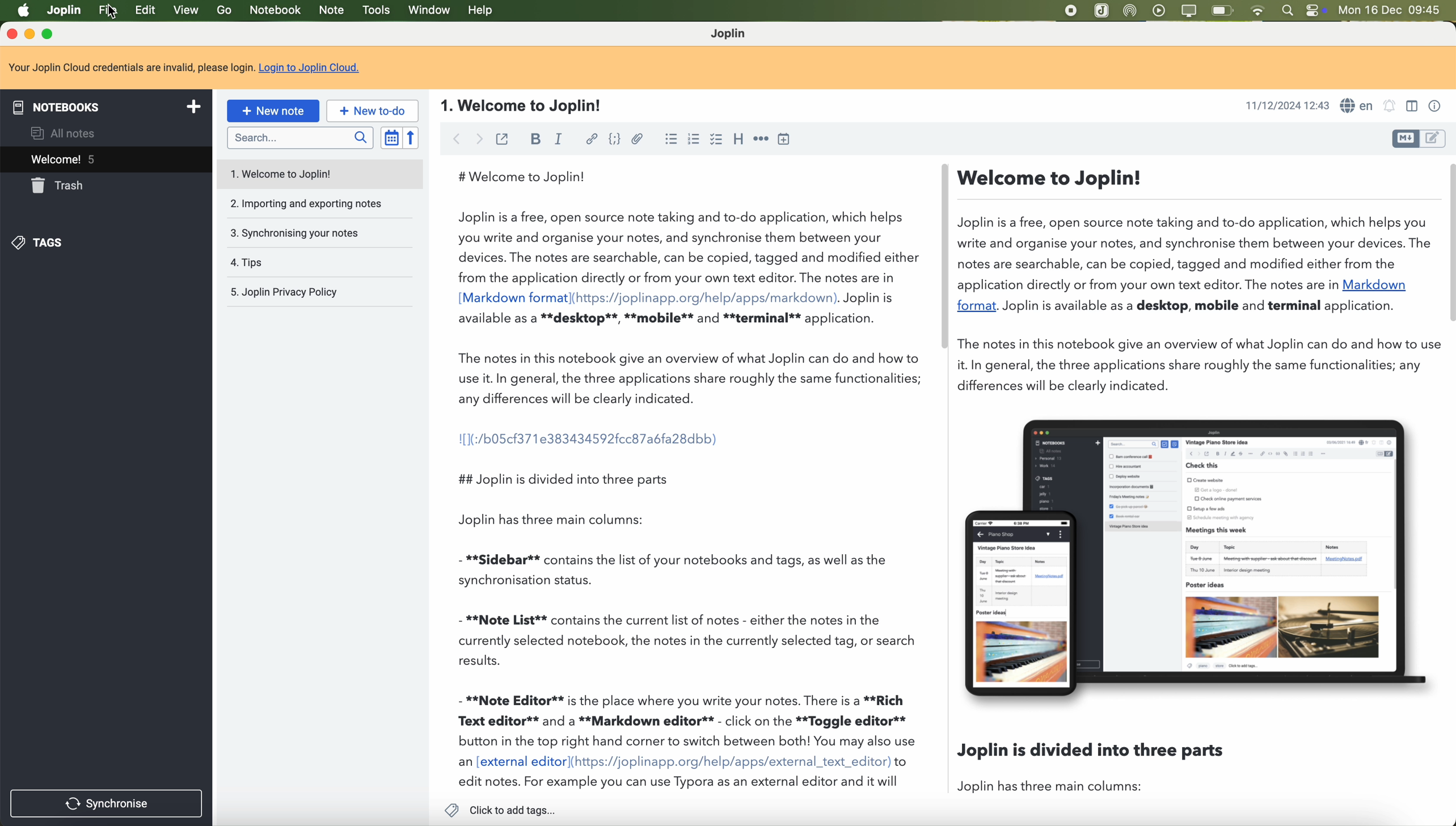  What do you see at coordinates (290, 293) in the screenshot?
I see `5. Joplin Privacy Policy` at bounding box center [290, 293].